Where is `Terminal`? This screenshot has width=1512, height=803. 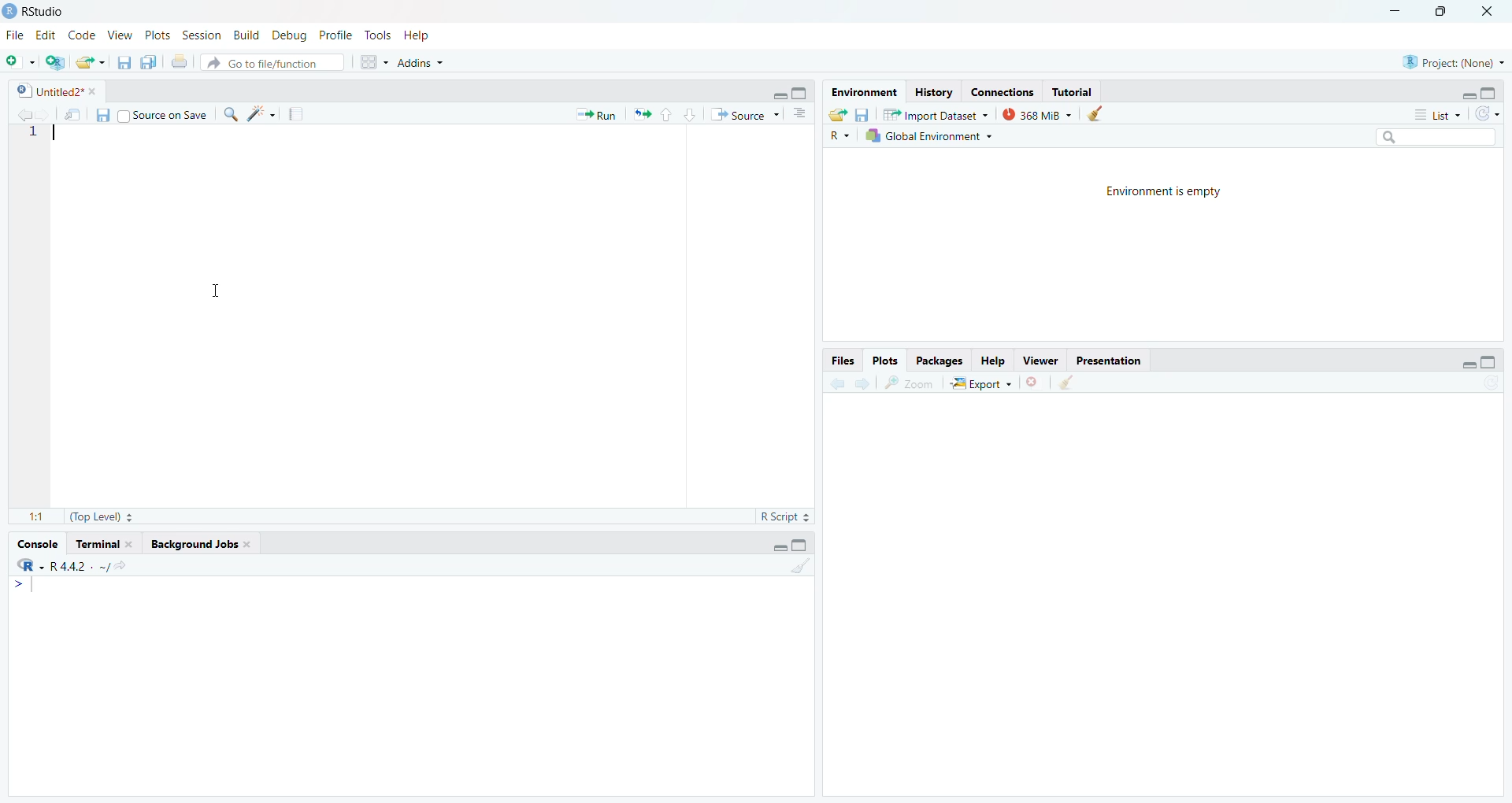 Terminal is located at coordinates (103, 543).